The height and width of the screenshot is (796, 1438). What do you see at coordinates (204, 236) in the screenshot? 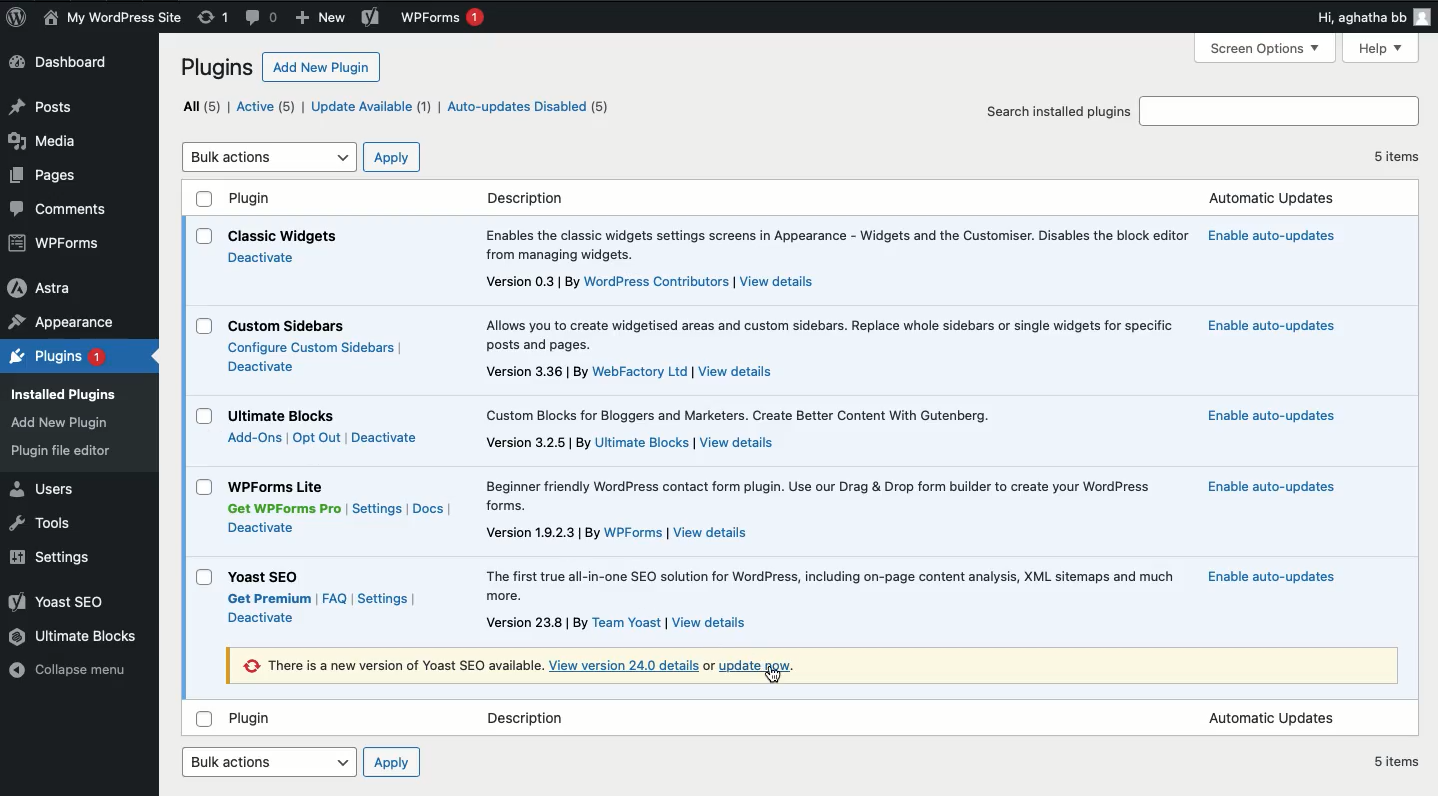
I see `Checkbox` at bounding box center [204, 236].